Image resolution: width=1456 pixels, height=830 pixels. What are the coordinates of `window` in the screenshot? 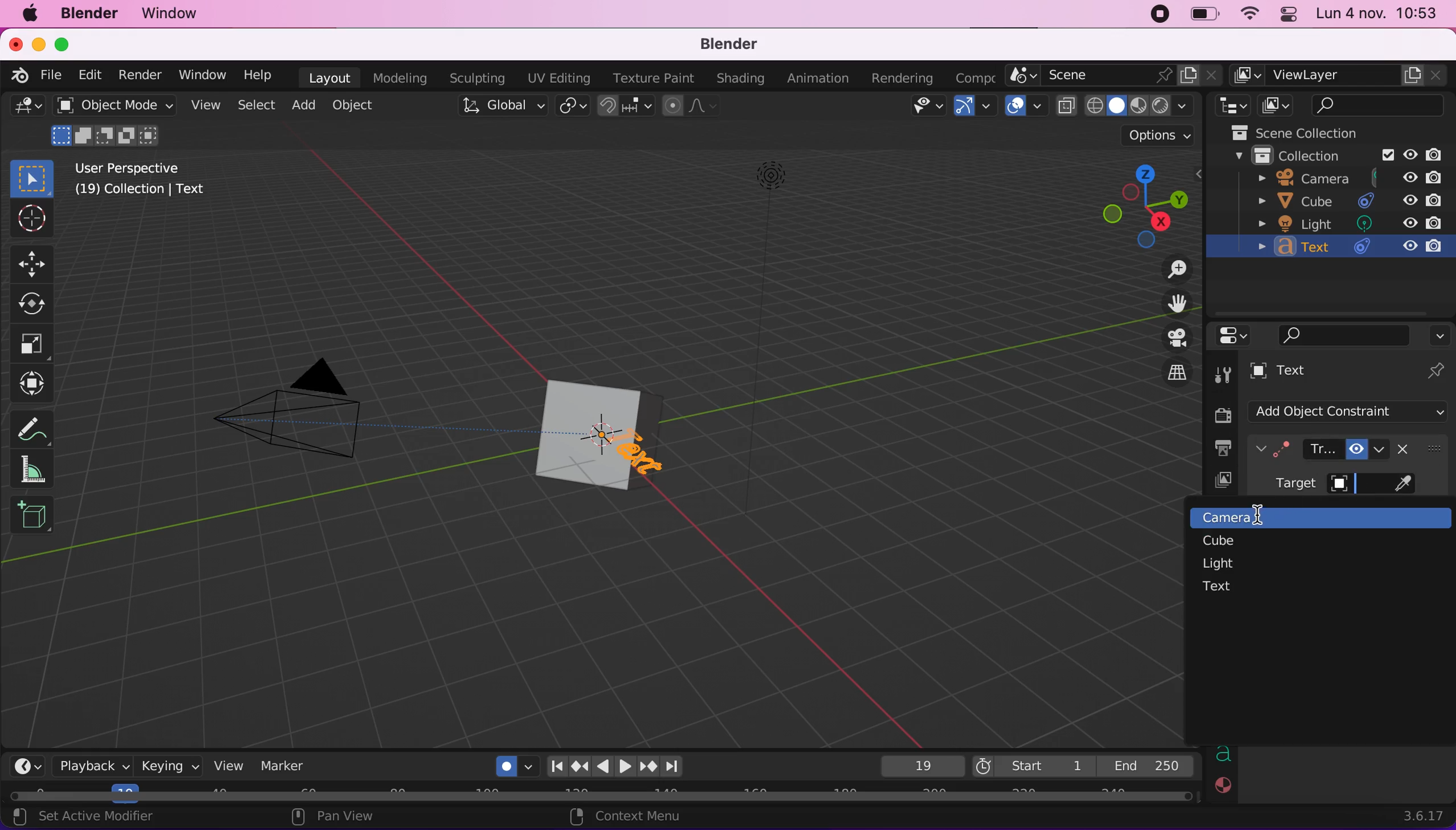 It's located at (204, 77).